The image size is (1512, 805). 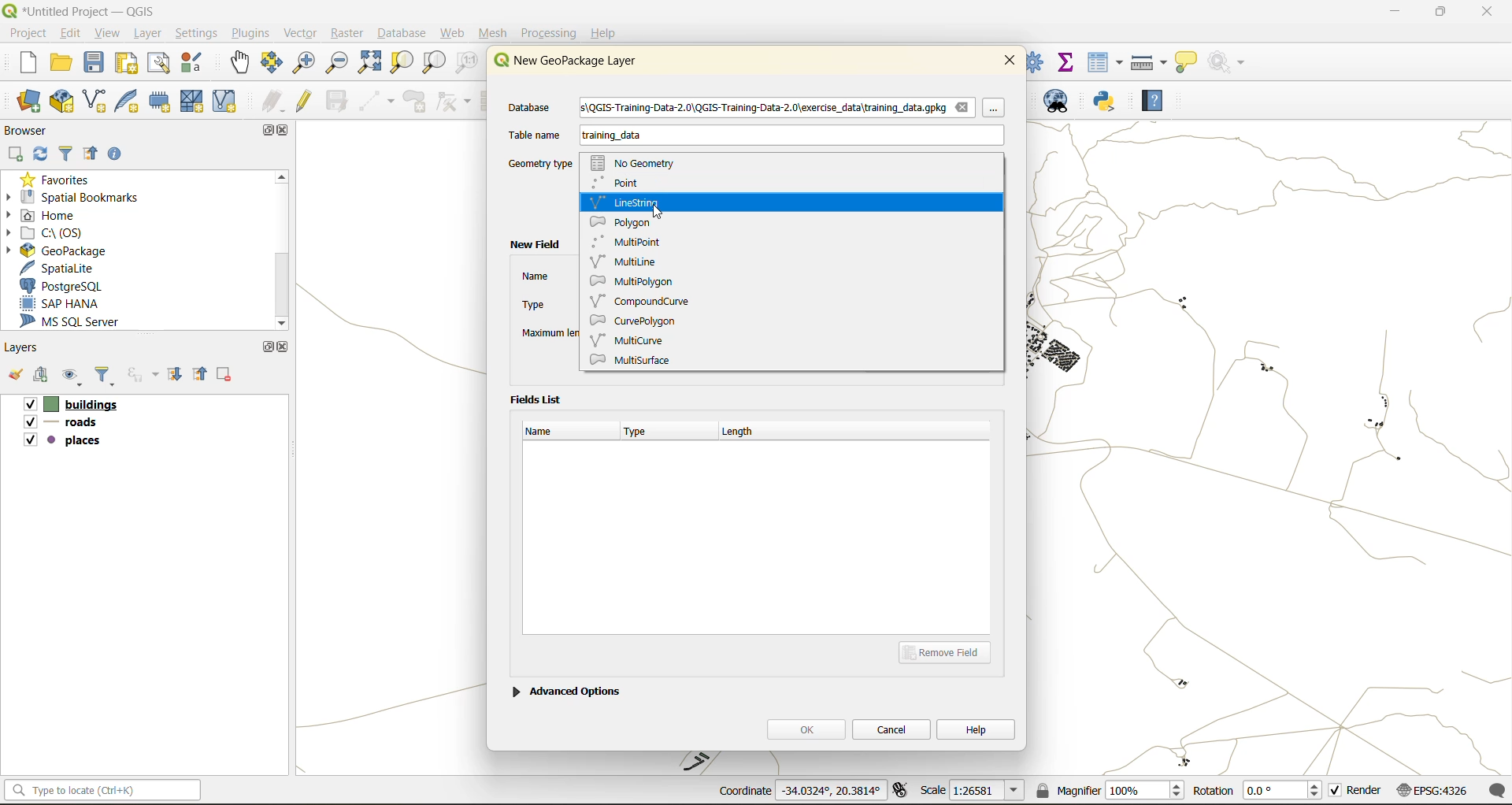 What do you see at coordinates (177, 375) in the screenshot?
I see `expand all` at bounding box center [177, 375].